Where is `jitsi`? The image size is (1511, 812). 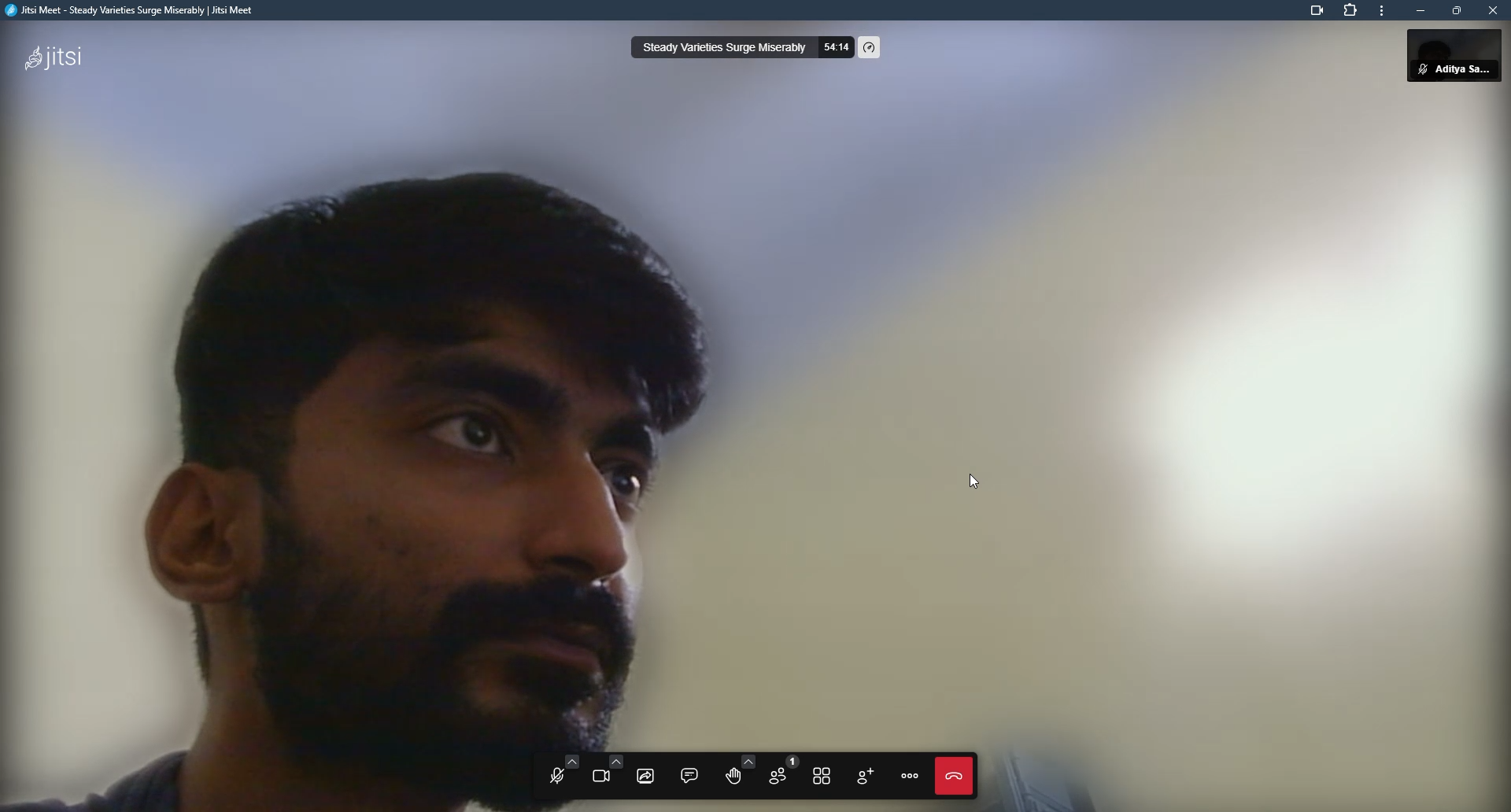
jitsi is located at coordinates (132, 14).